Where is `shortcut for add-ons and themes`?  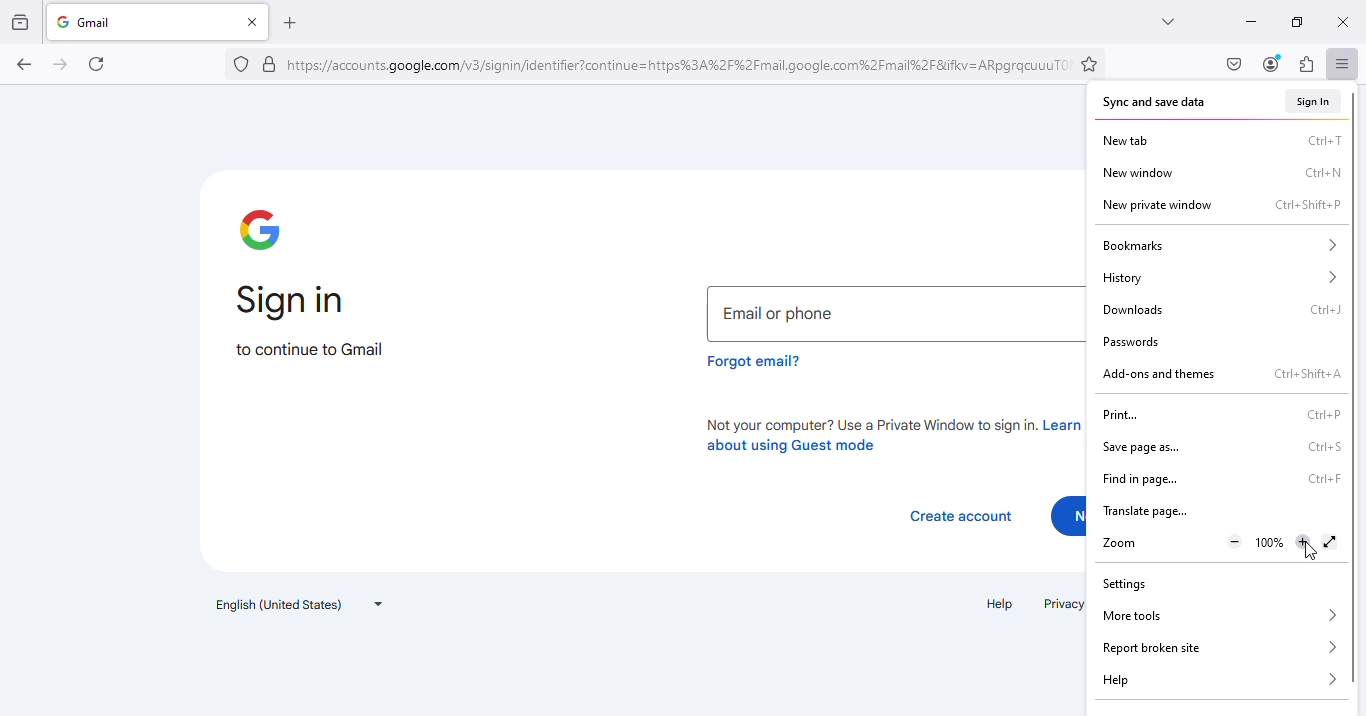 shortcut for add-ons and themes is located at coordinates (1306, 375).